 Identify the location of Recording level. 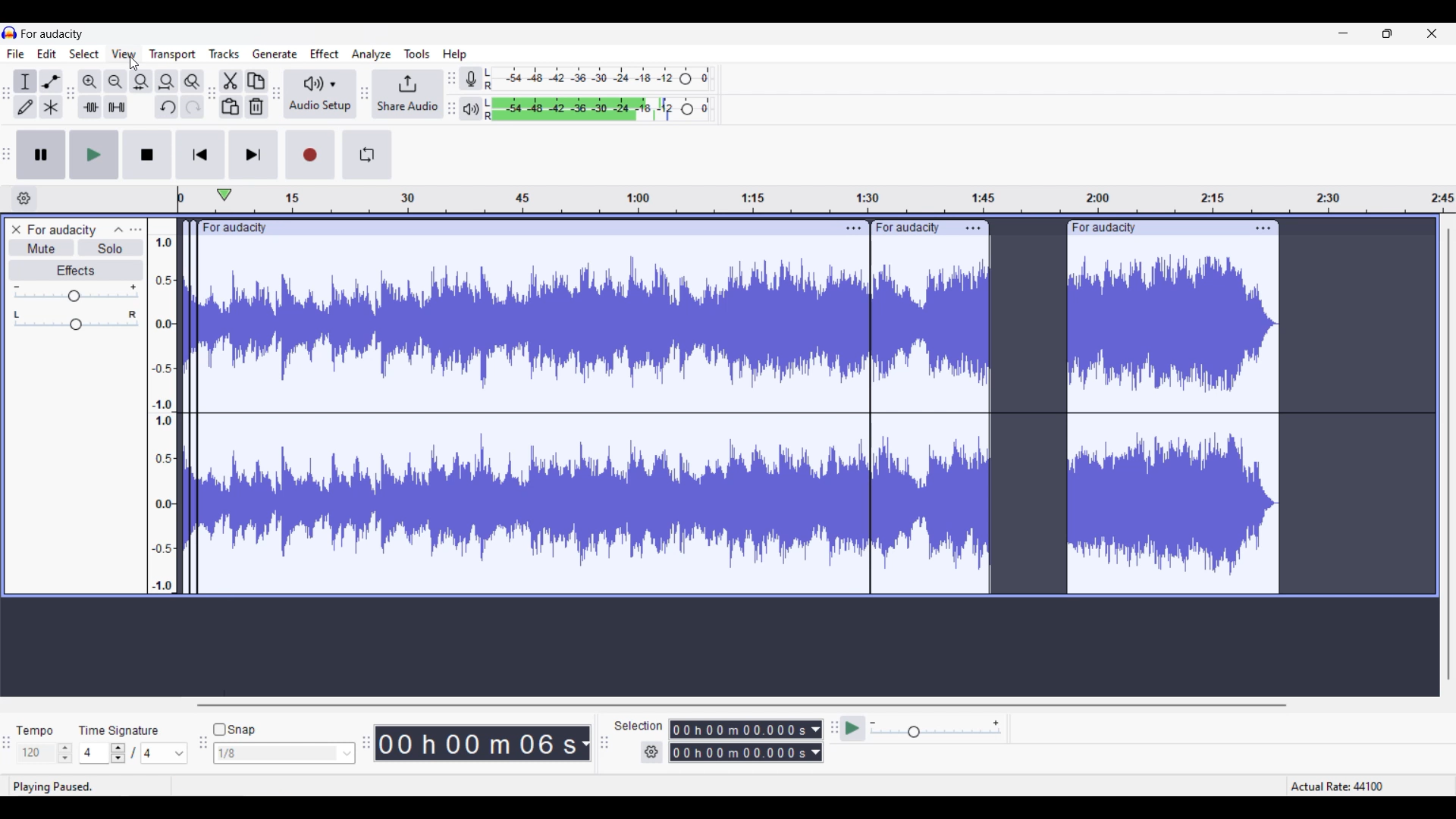
(598, 79).